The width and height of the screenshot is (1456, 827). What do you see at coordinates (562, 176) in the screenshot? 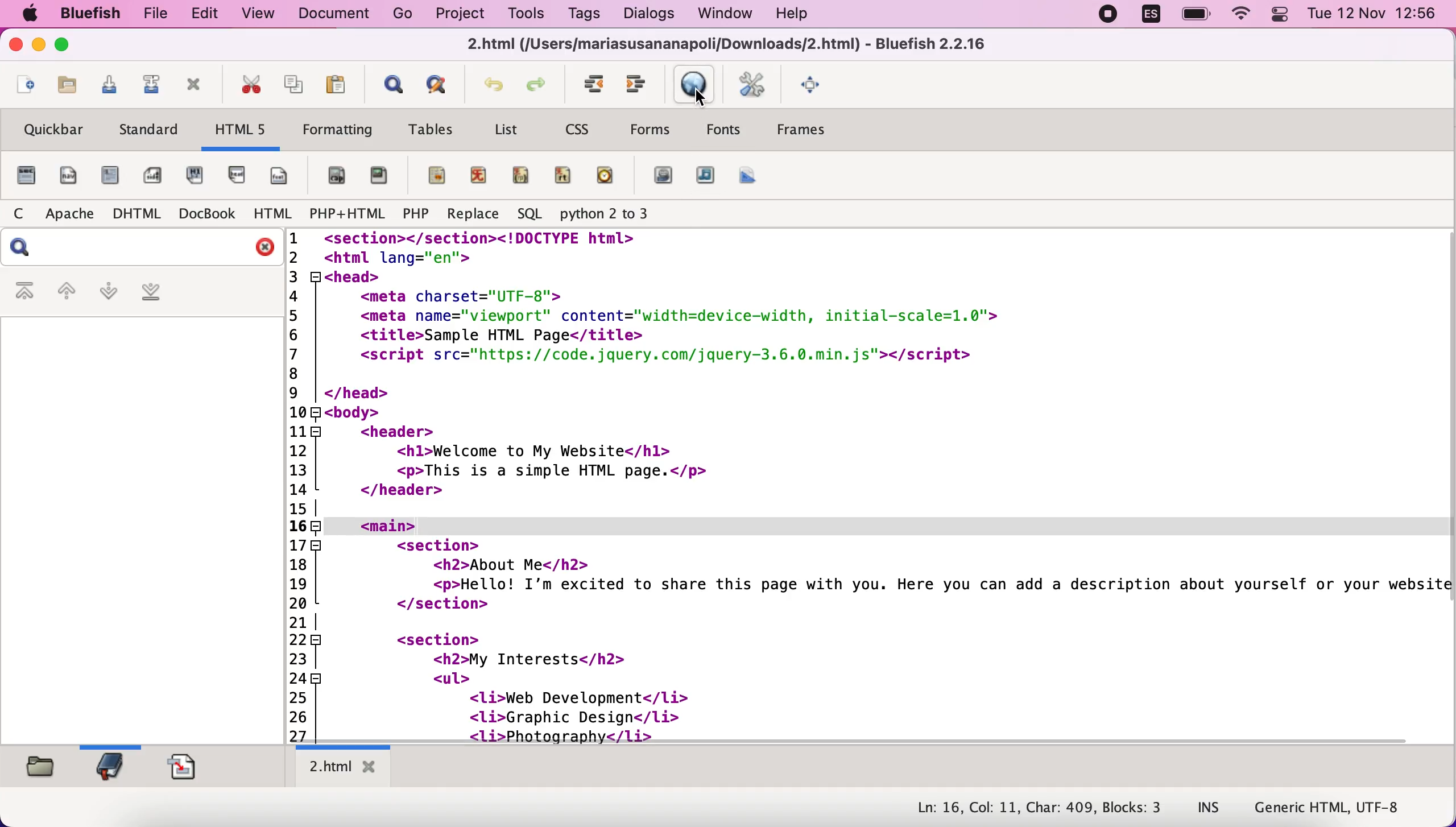
I see `html comment` at bounding box center [562, 176].